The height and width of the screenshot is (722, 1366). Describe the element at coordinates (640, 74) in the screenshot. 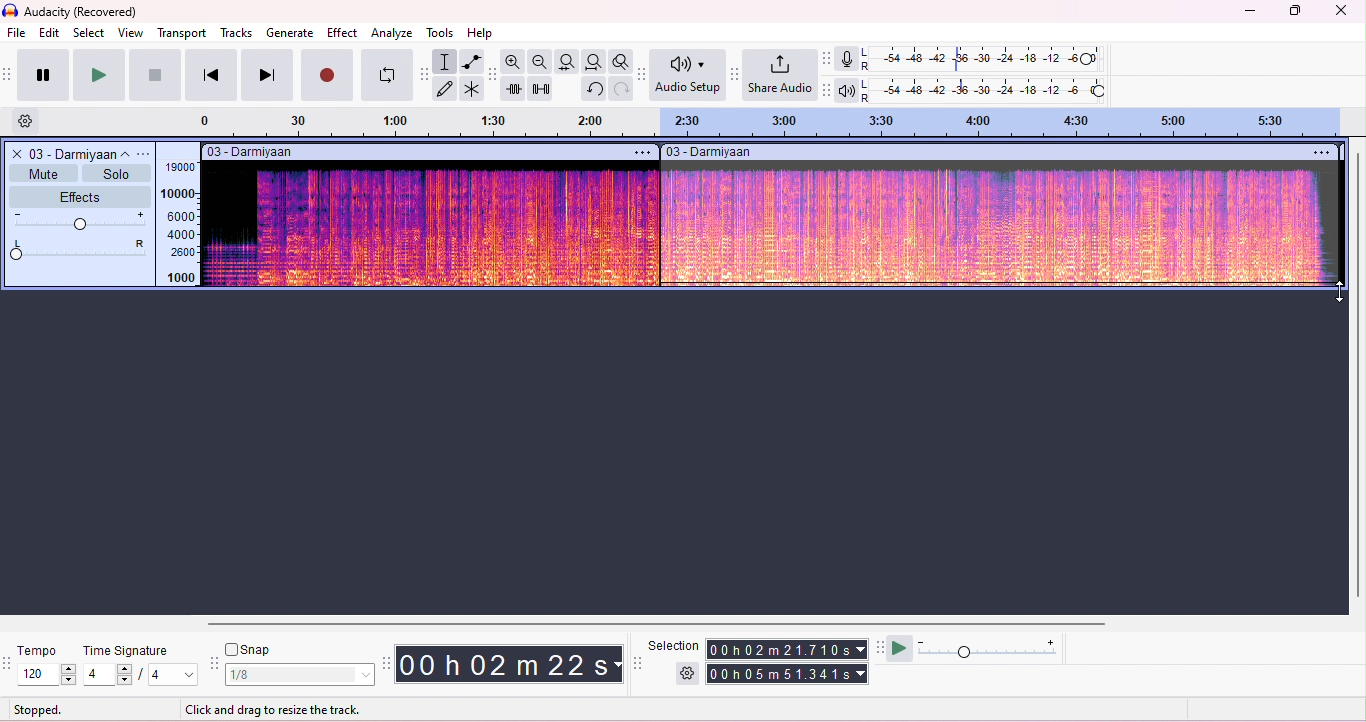

I see `audio setup tool bar` at that location.